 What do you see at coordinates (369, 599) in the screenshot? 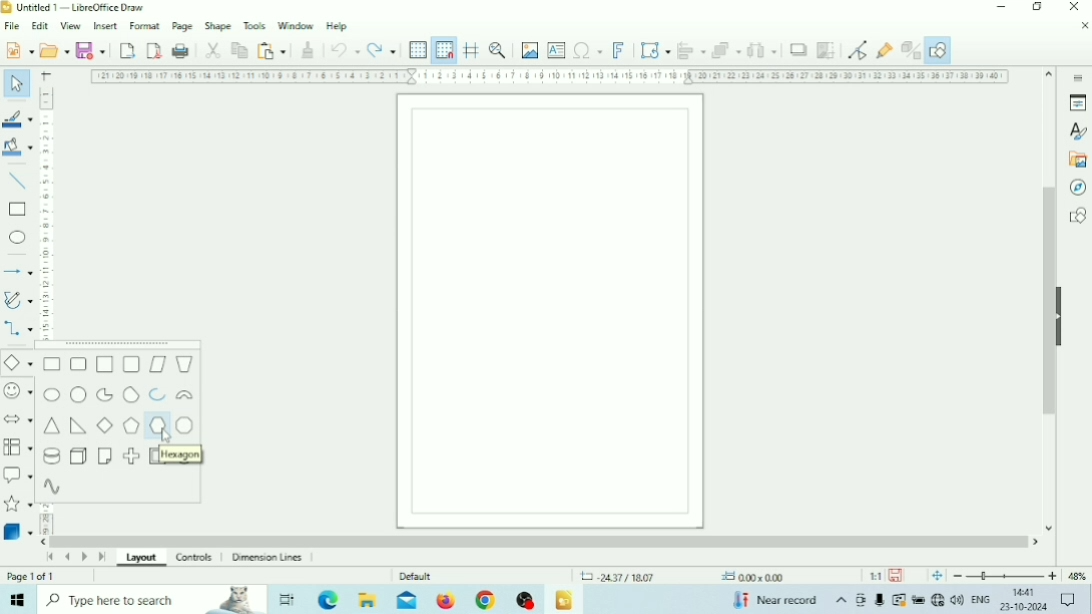
I see `File Explorer` at bounding box center [369, 599].